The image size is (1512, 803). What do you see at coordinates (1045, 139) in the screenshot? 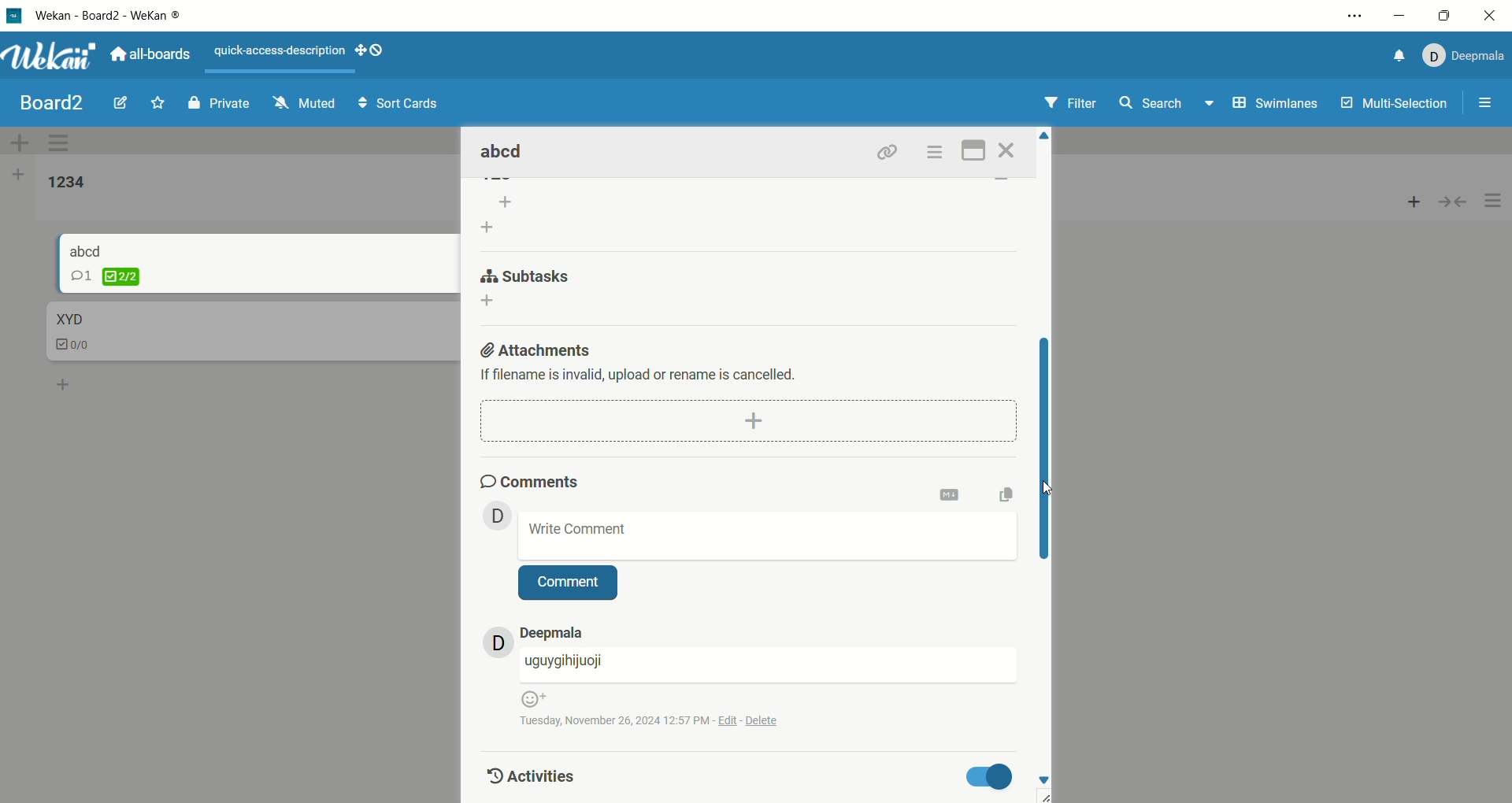
I see `Up` at bounding box center [1045, 139].